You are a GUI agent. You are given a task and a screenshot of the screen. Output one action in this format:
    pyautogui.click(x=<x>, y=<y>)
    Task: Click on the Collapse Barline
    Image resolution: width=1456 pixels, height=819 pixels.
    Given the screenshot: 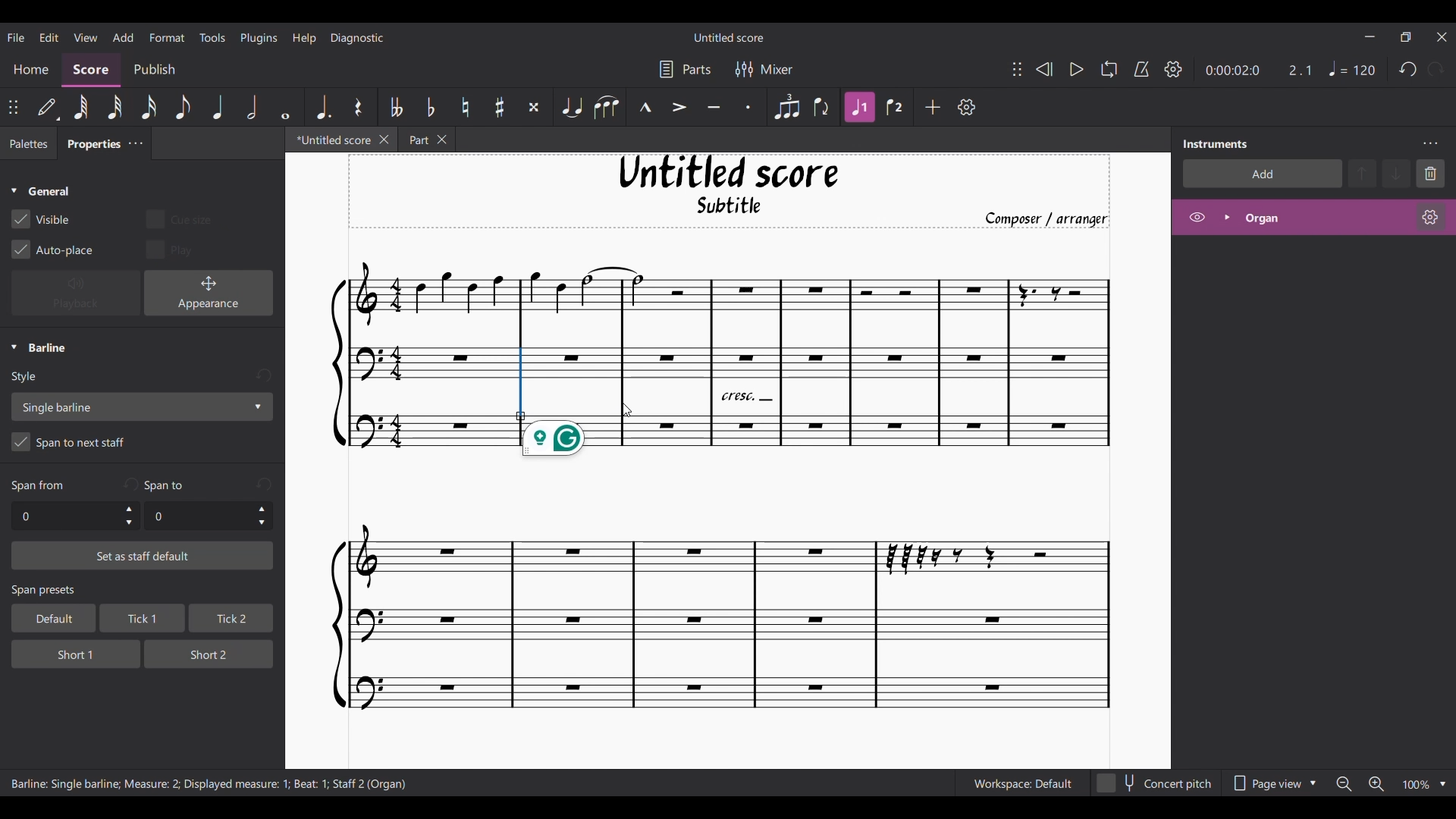 What is the action you would take?
    pyautogui.click(x=39, y=348)
    